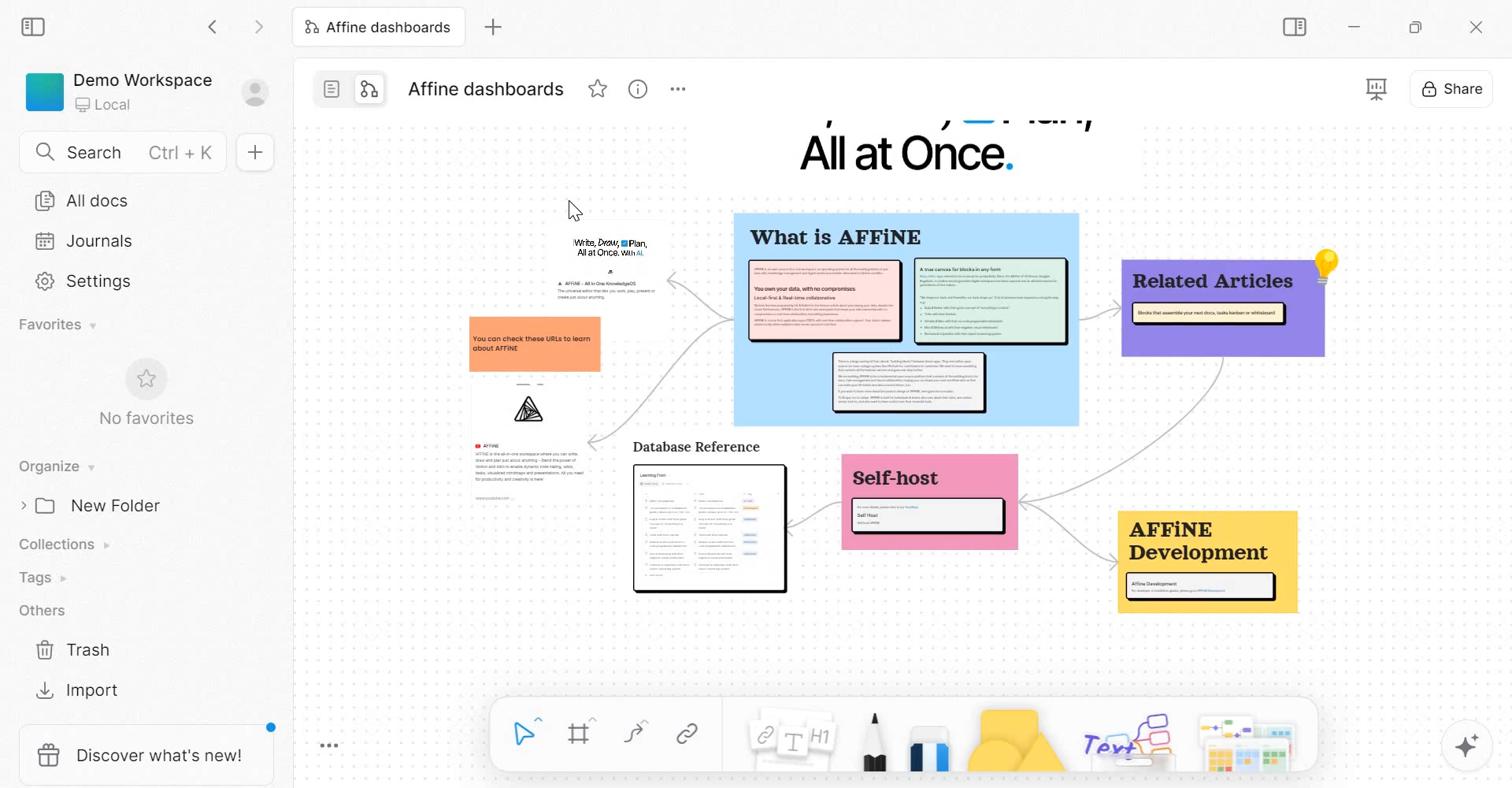 This screenshot has width=1512, height=788. What do you see at coordinates (327, 745) in the screenshot?
I see `Toggle Zoom Tool Bar` at bounding box center [327, 745].